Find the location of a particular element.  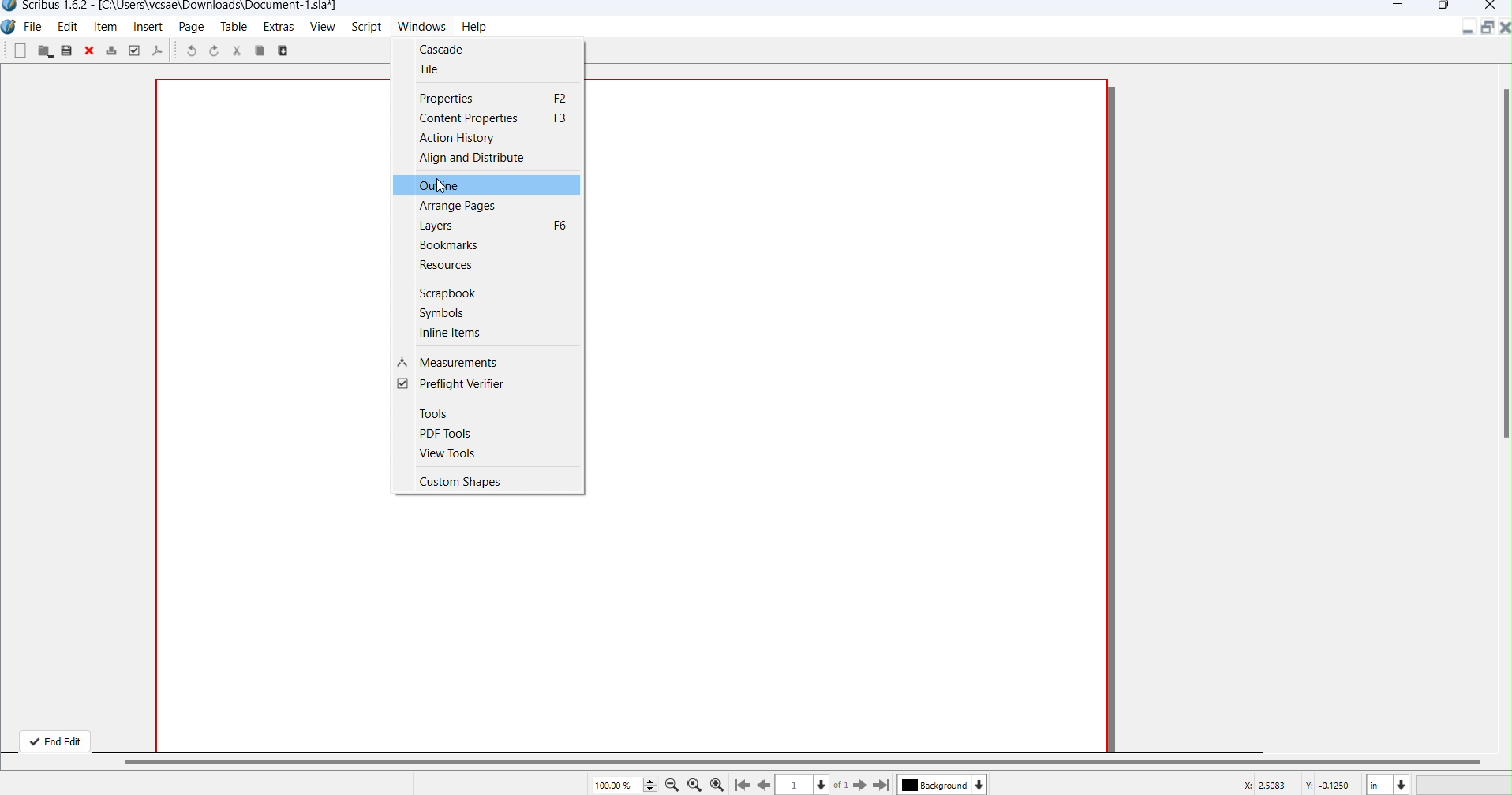

go to top is located at coordinates (741, 786).